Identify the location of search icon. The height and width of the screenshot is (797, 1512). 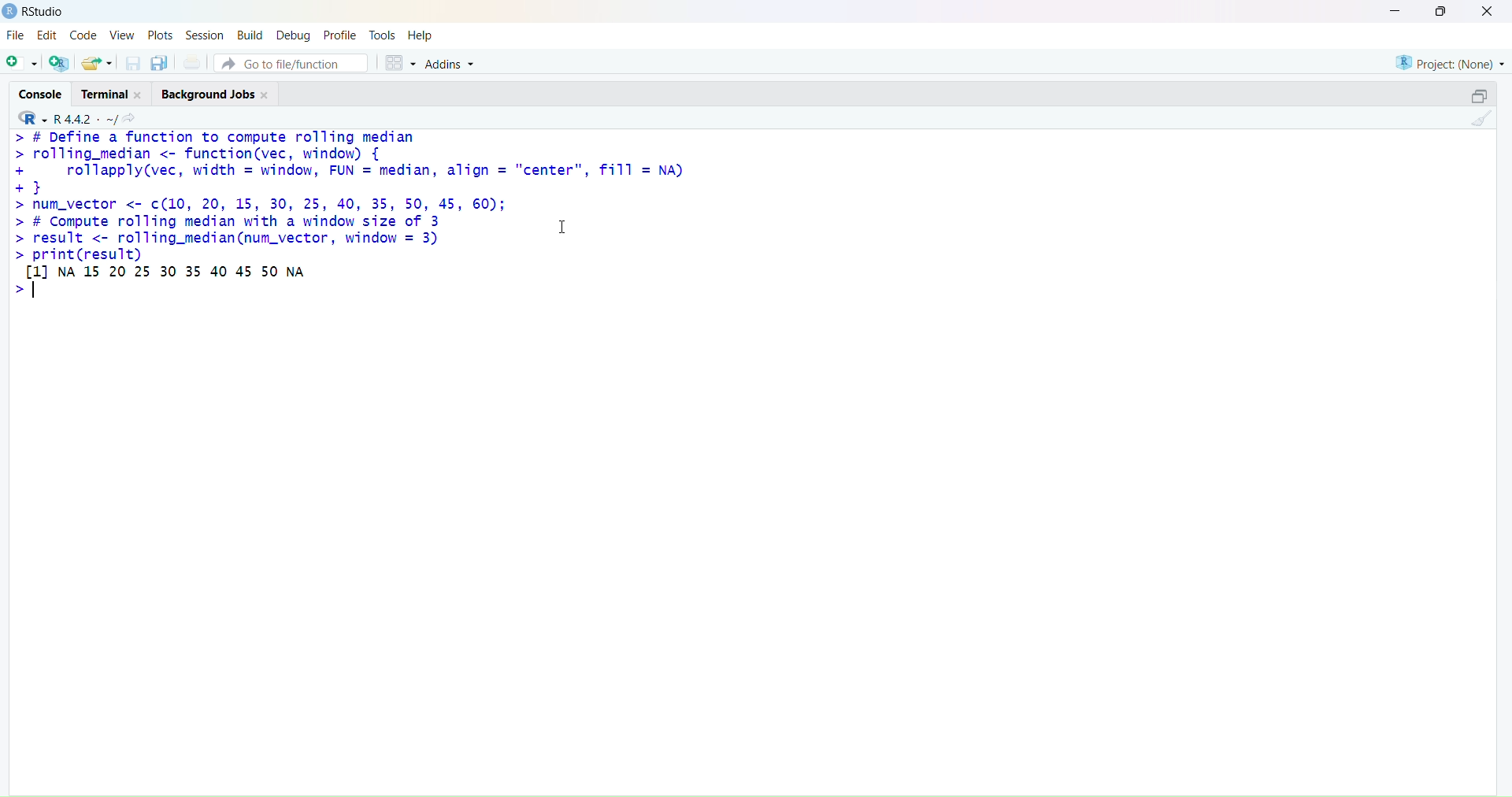
(130, 117).